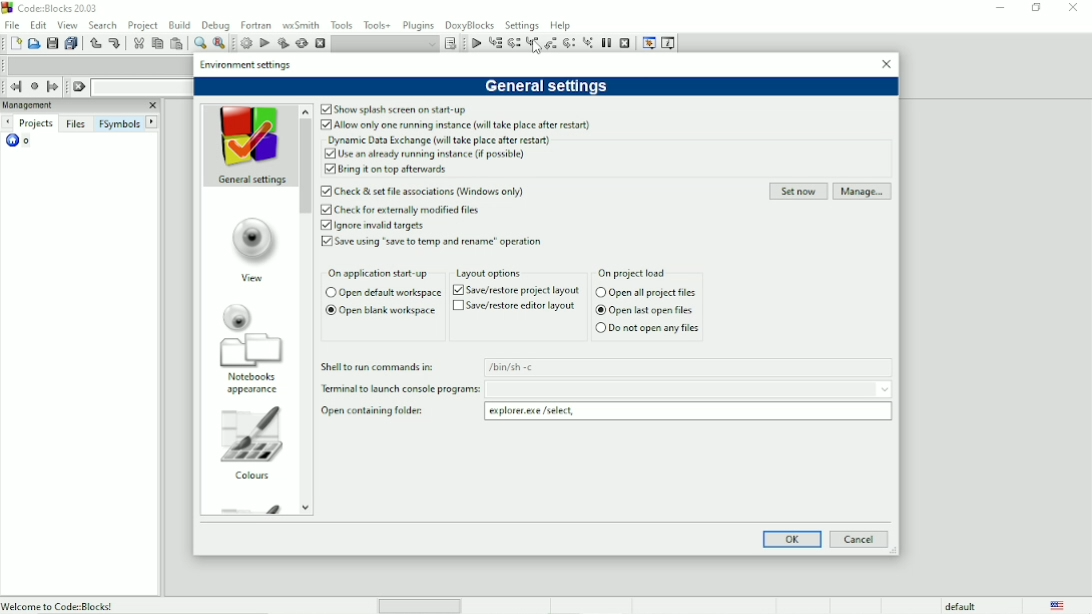 The height and width of the screenshot is (614, 1092). Describe the element at coordinates (393, 109) in the screenshot. I see `Show splash screen on start-up` at that location.